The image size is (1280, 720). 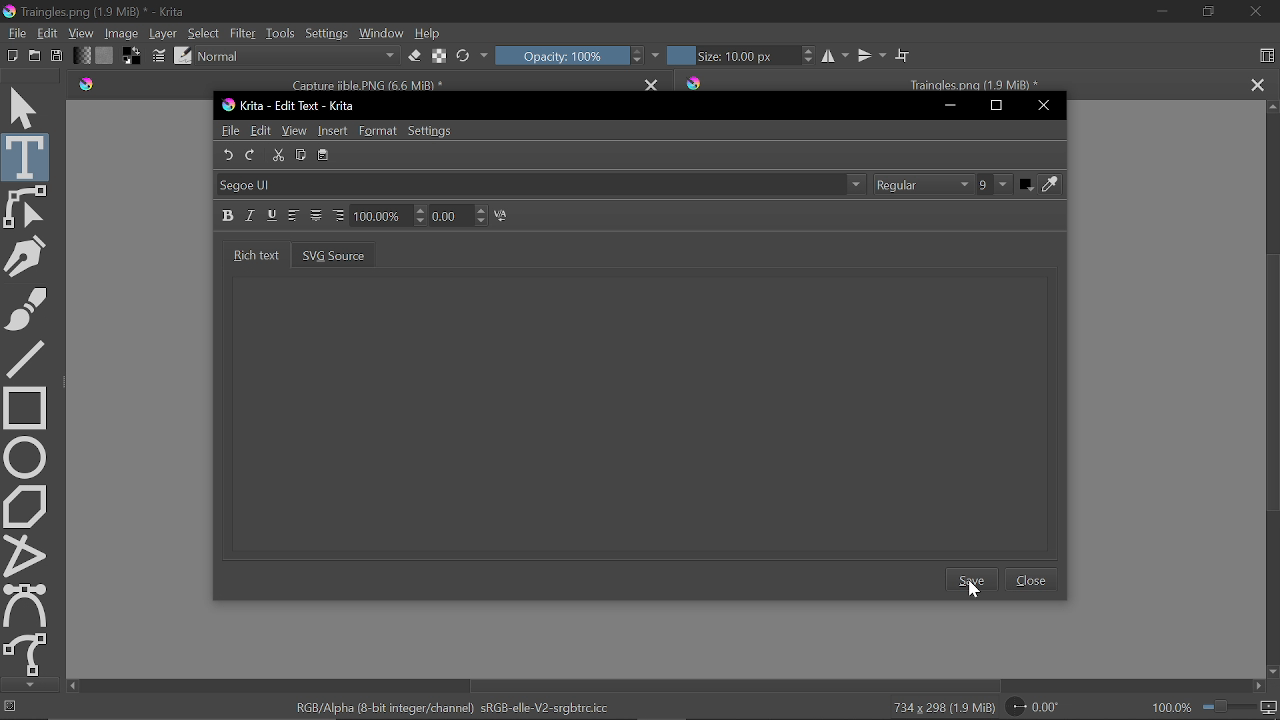 I want to click on Underline, so click(x=272, y=214).